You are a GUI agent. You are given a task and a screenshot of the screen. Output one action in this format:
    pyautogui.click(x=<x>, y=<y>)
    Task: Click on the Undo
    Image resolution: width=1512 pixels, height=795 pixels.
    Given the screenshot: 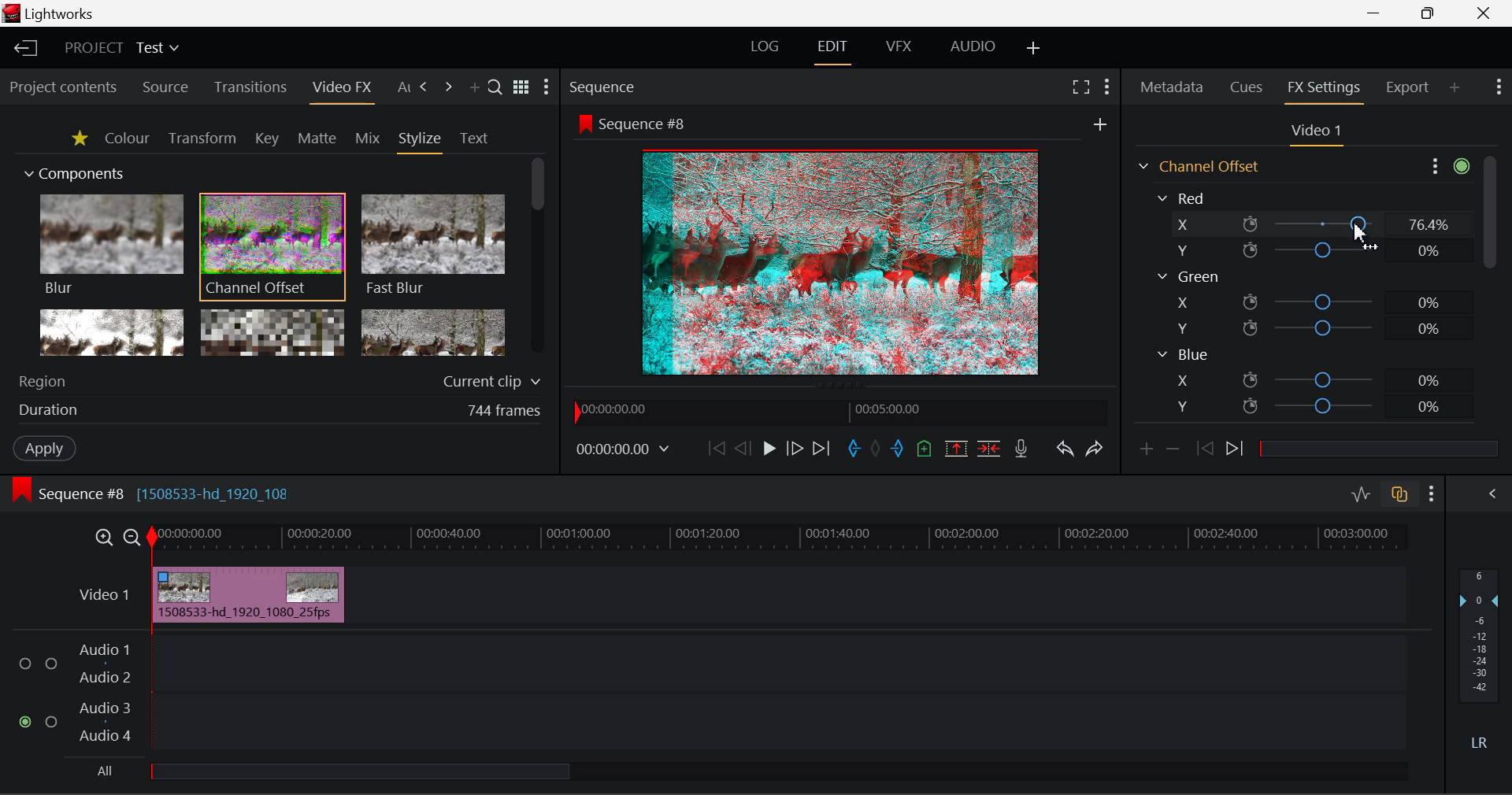 What is the action you would take?
    pyautogui.click(x=1067, y=451)
    